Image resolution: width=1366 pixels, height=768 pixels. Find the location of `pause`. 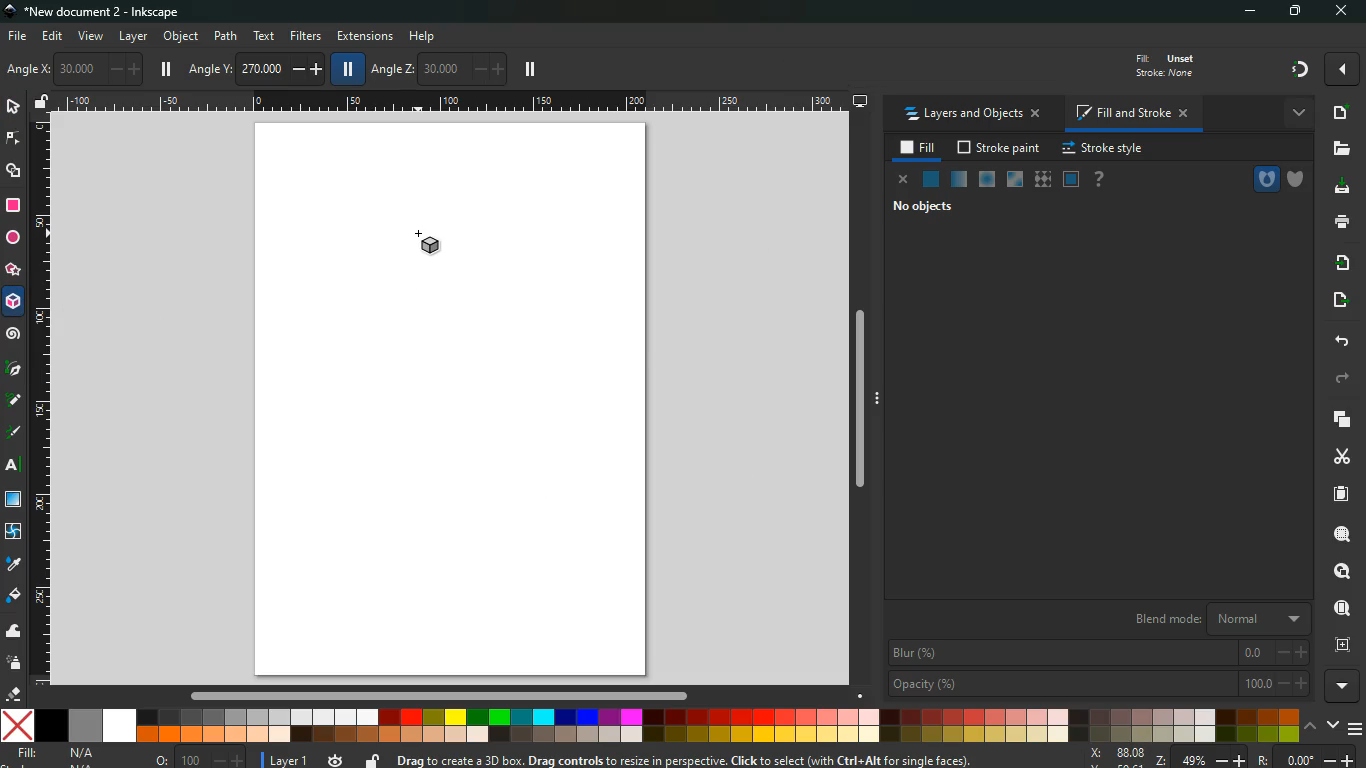

pause is located at coordinates (345, 68).